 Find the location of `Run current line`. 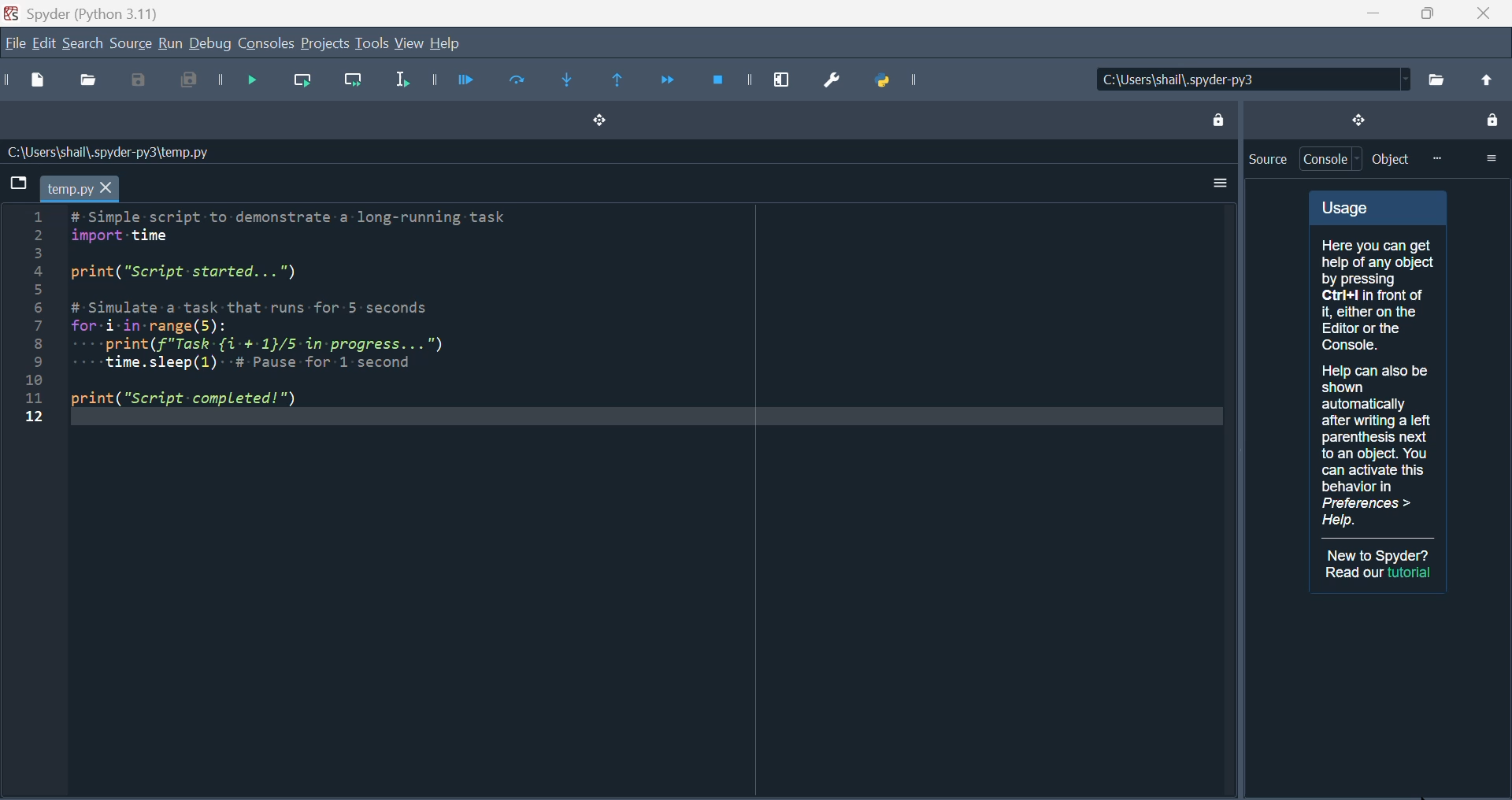

Run current line is located at coordinates (305, 82).